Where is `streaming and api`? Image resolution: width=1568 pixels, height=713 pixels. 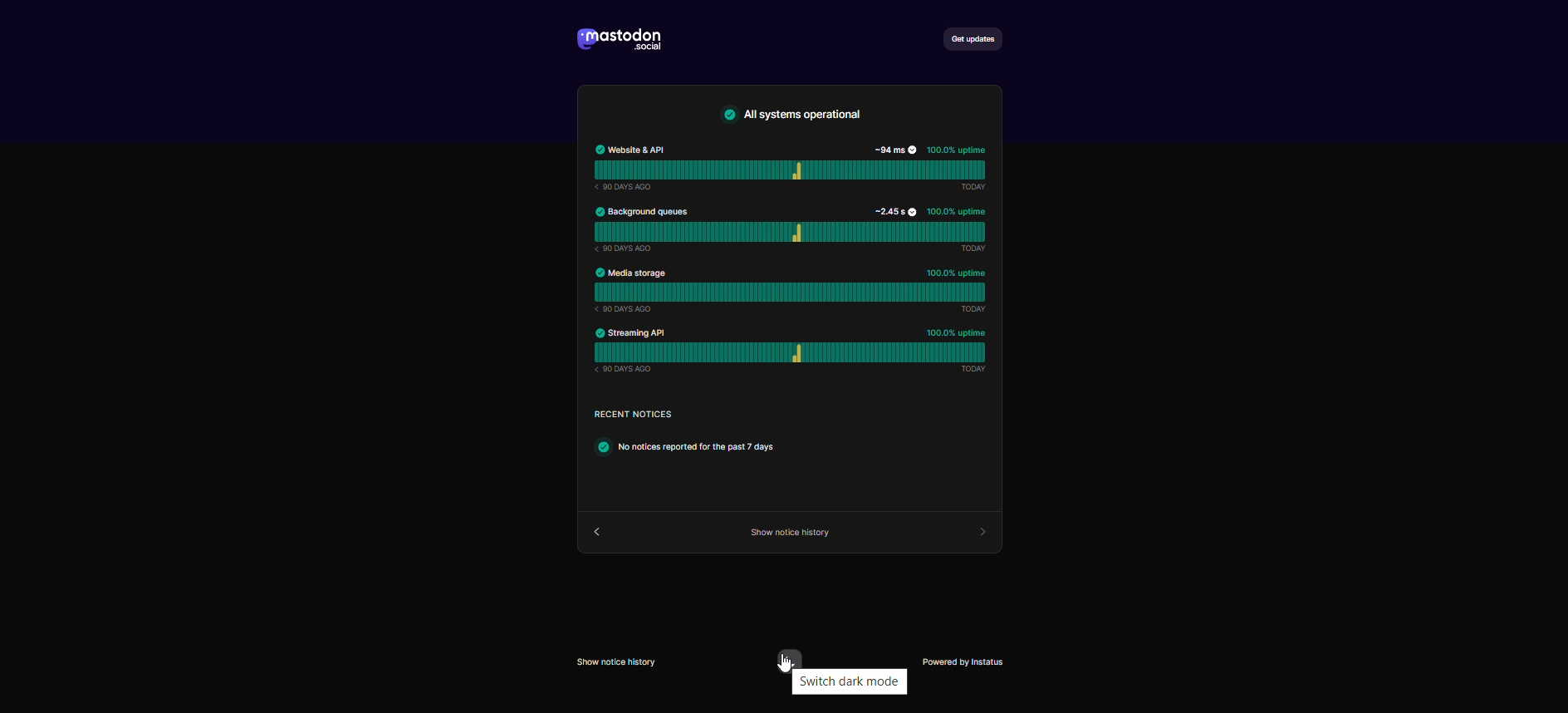 streaming and api is located at coordinates (807, 355).